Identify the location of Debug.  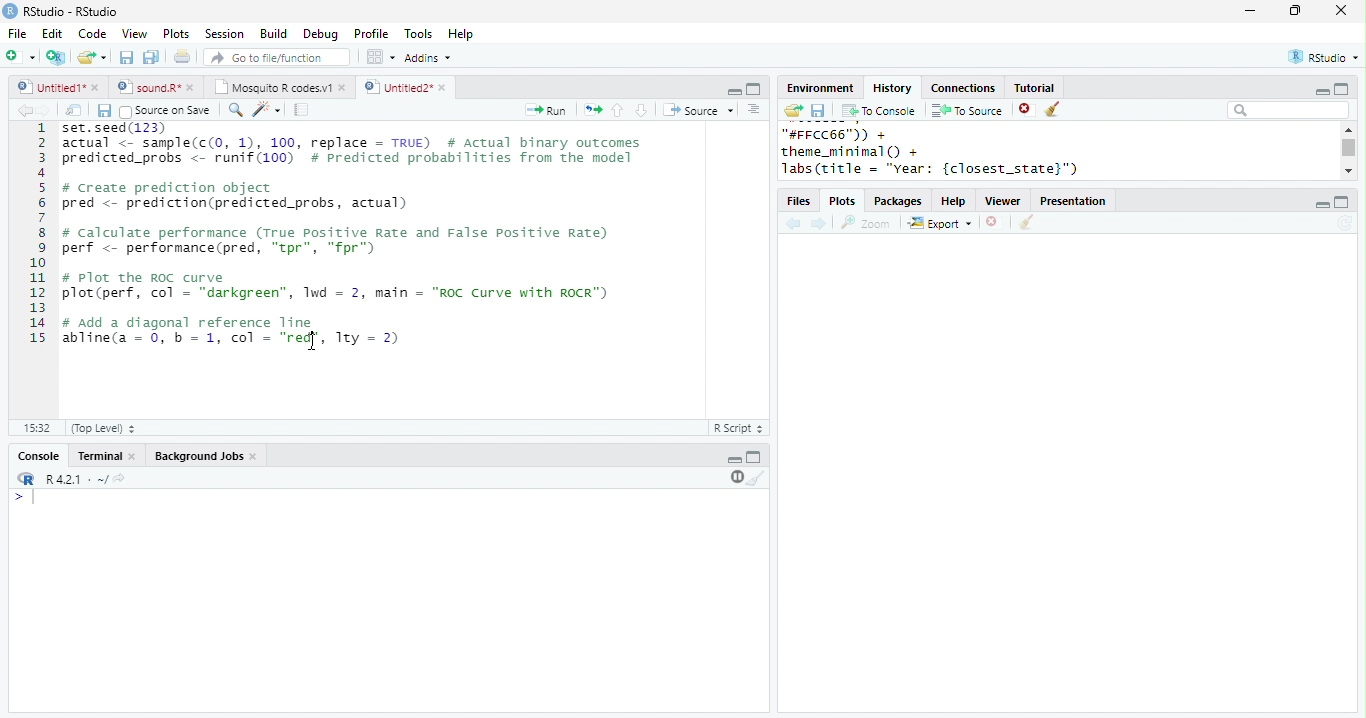
(323, 35).